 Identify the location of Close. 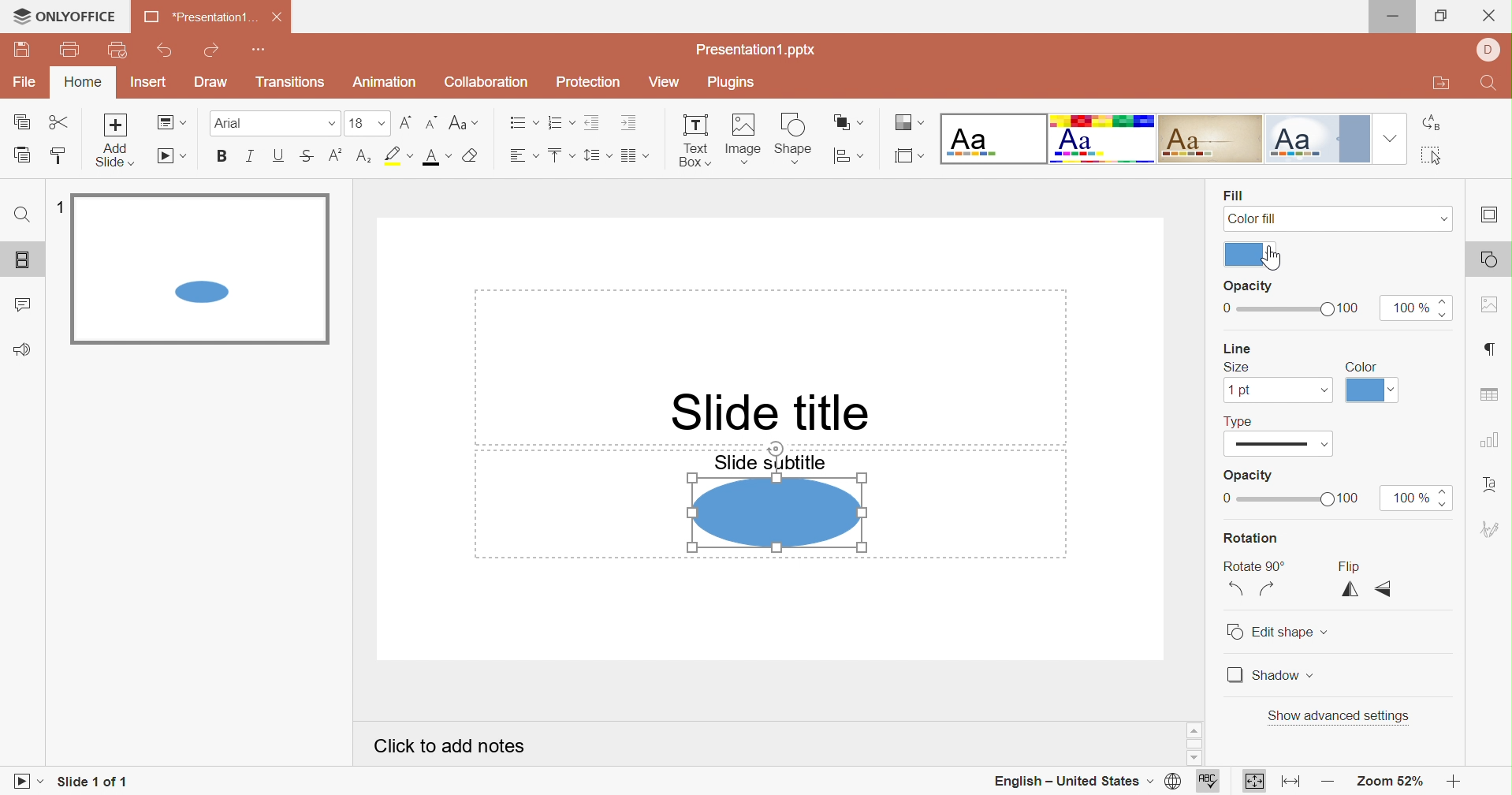
(277, 19).